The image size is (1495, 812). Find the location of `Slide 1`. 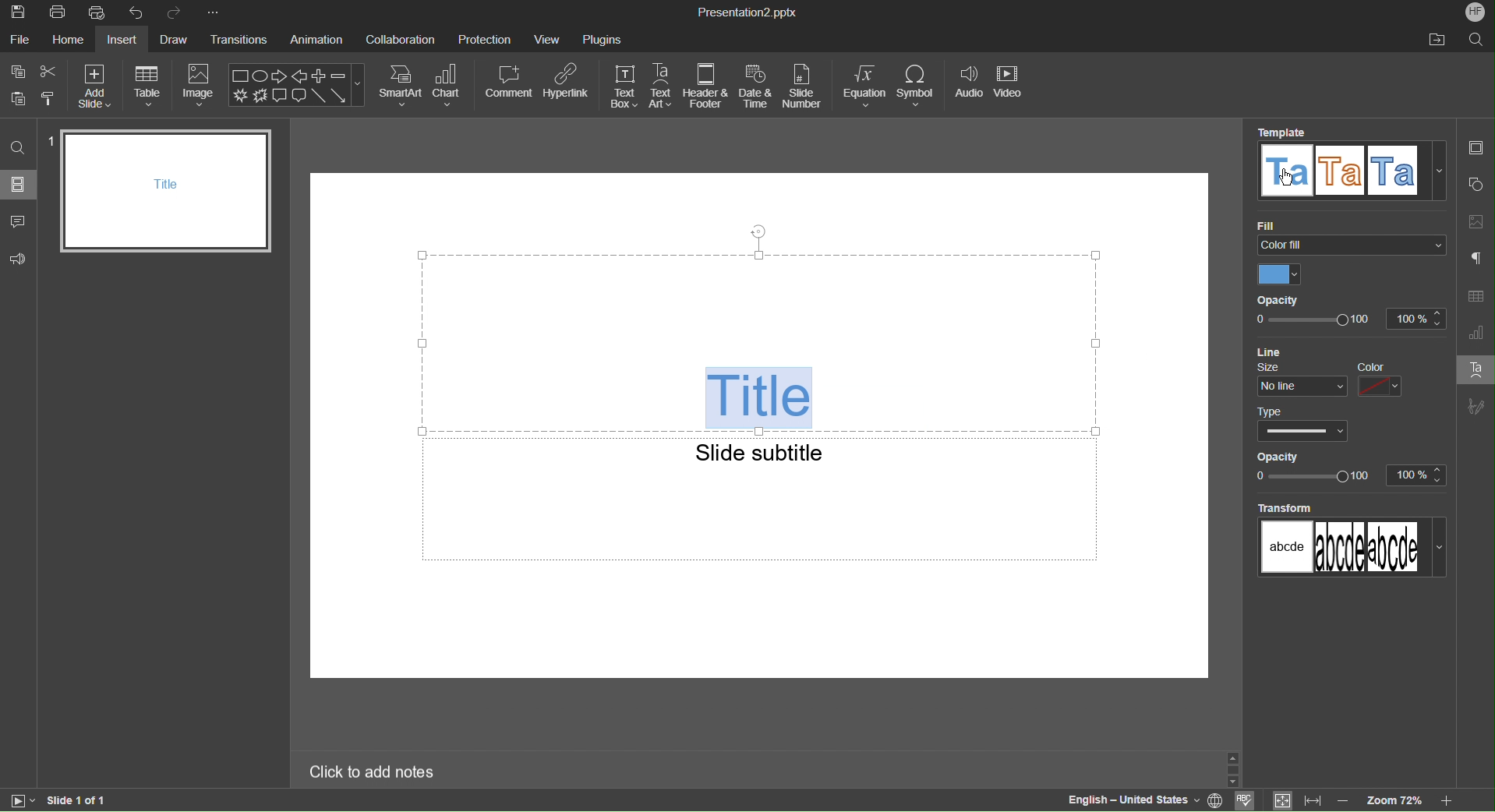

Slide 1 is located at coordinates (162, 192).